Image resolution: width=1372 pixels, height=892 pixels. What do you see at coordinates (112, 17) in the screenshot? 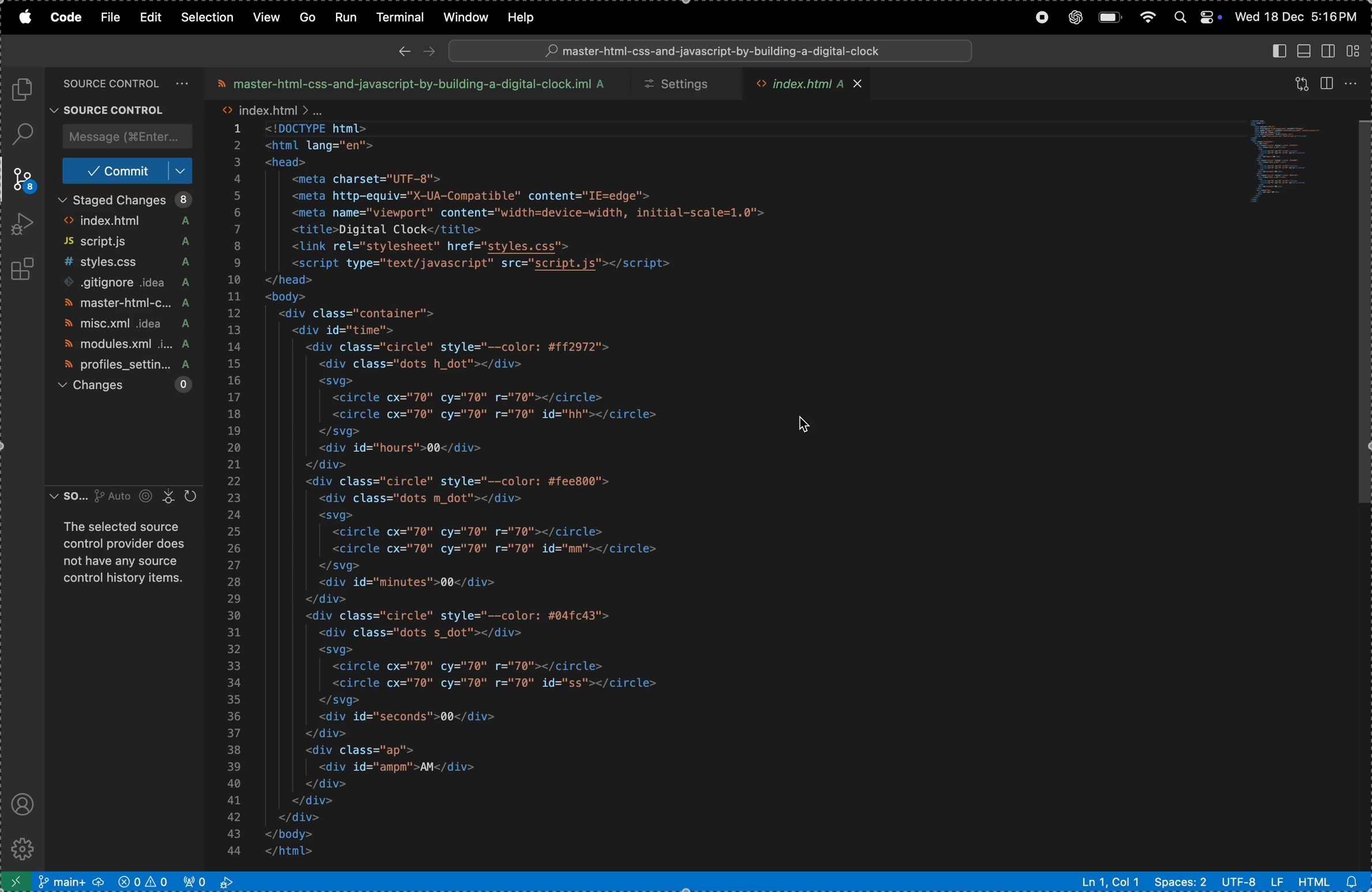
I see `file` at bounding box center [112, 17].